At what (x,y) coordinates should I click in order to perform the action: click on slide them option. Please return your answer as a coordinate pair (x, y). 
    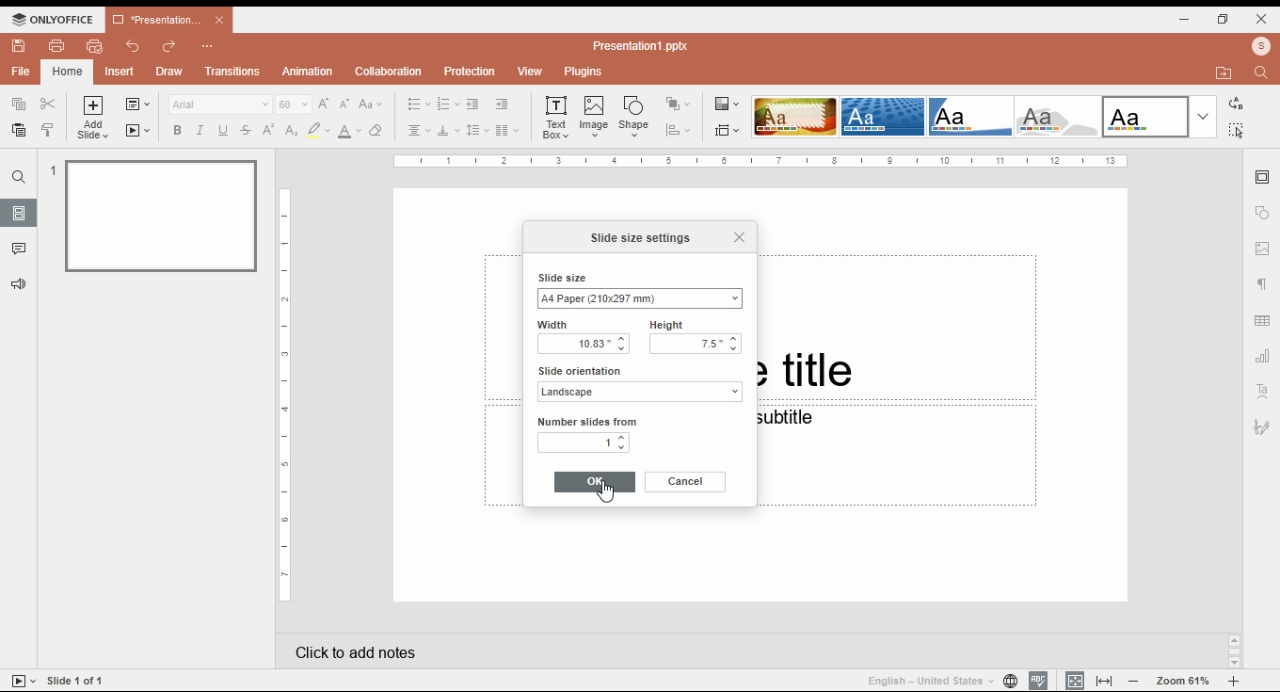
    Looking at the image, I should click on (972, 116).